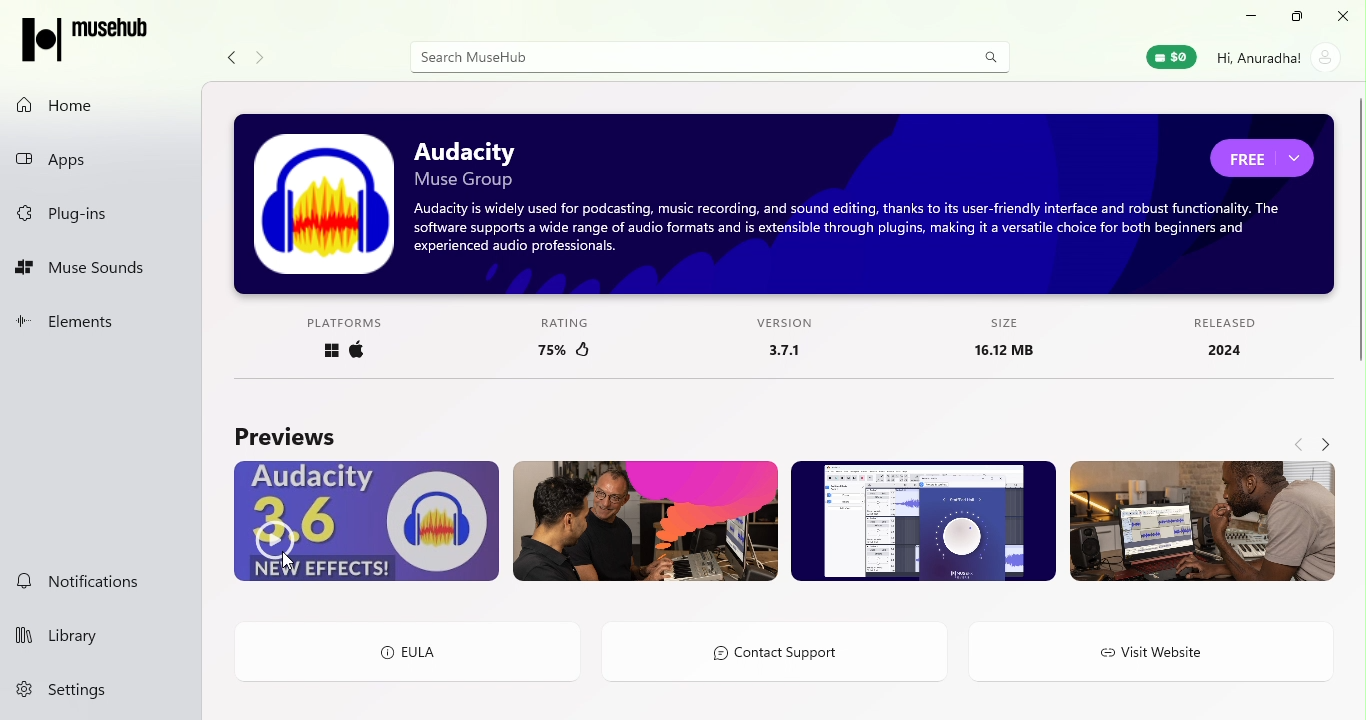 The width and height of the screenshot is (1366, 720). I want to click on Musehub icon, so click(86, 42).